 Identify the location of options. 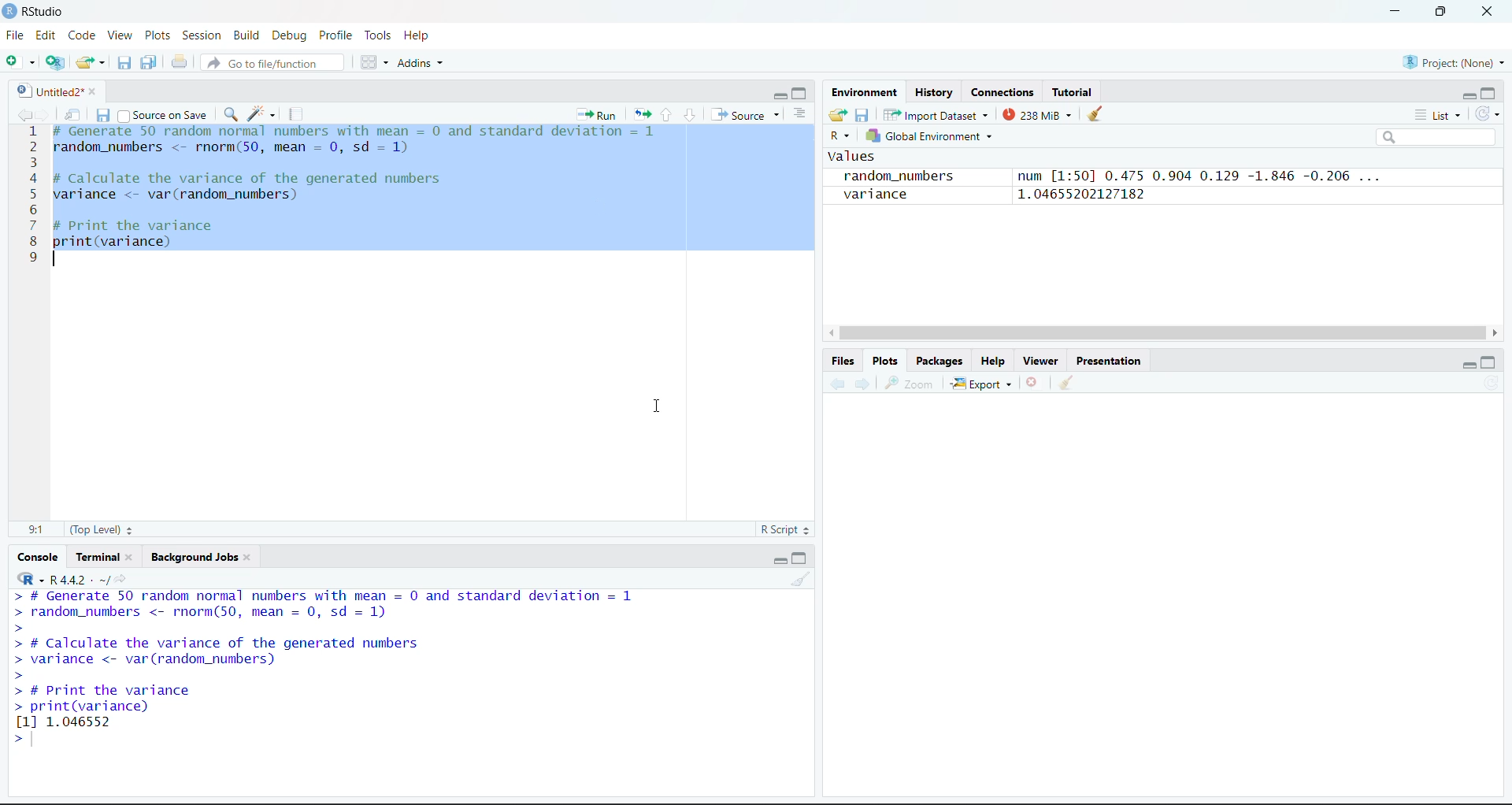
(375, 62).